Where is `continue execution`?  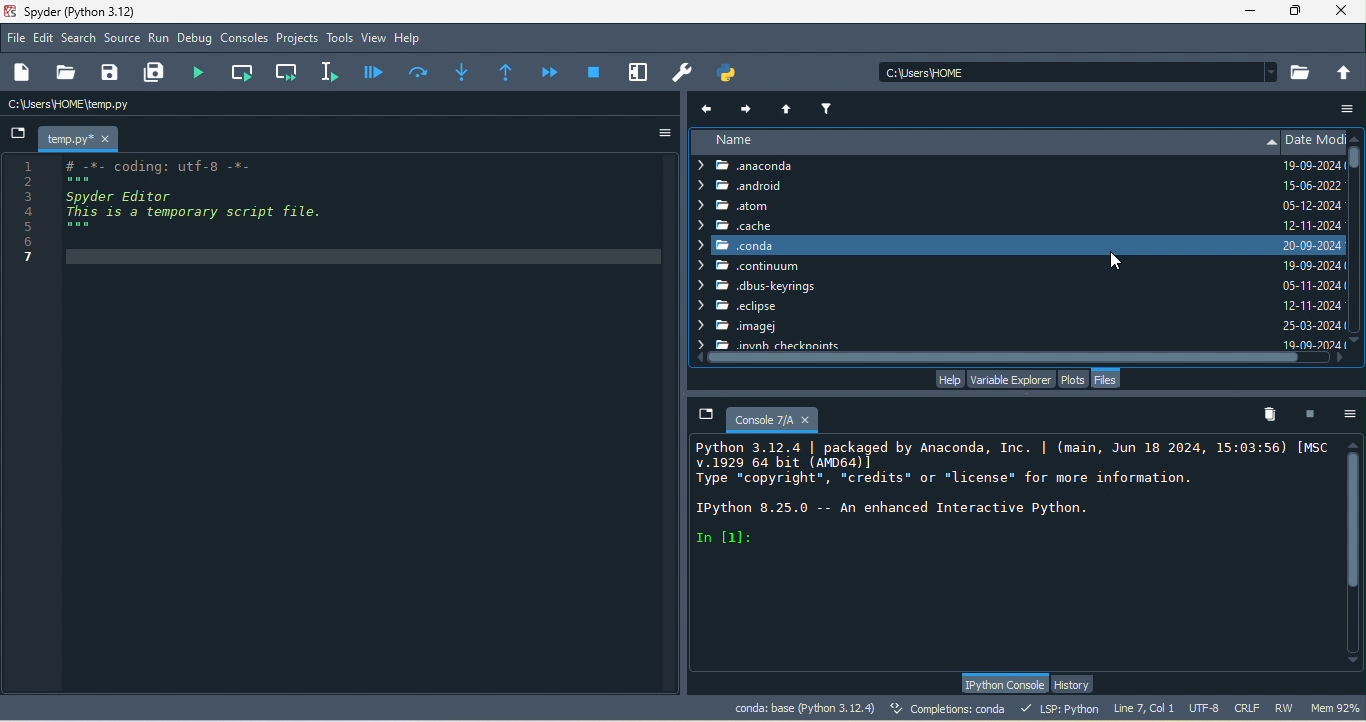
continue execution is located at coordinates (552, 72).